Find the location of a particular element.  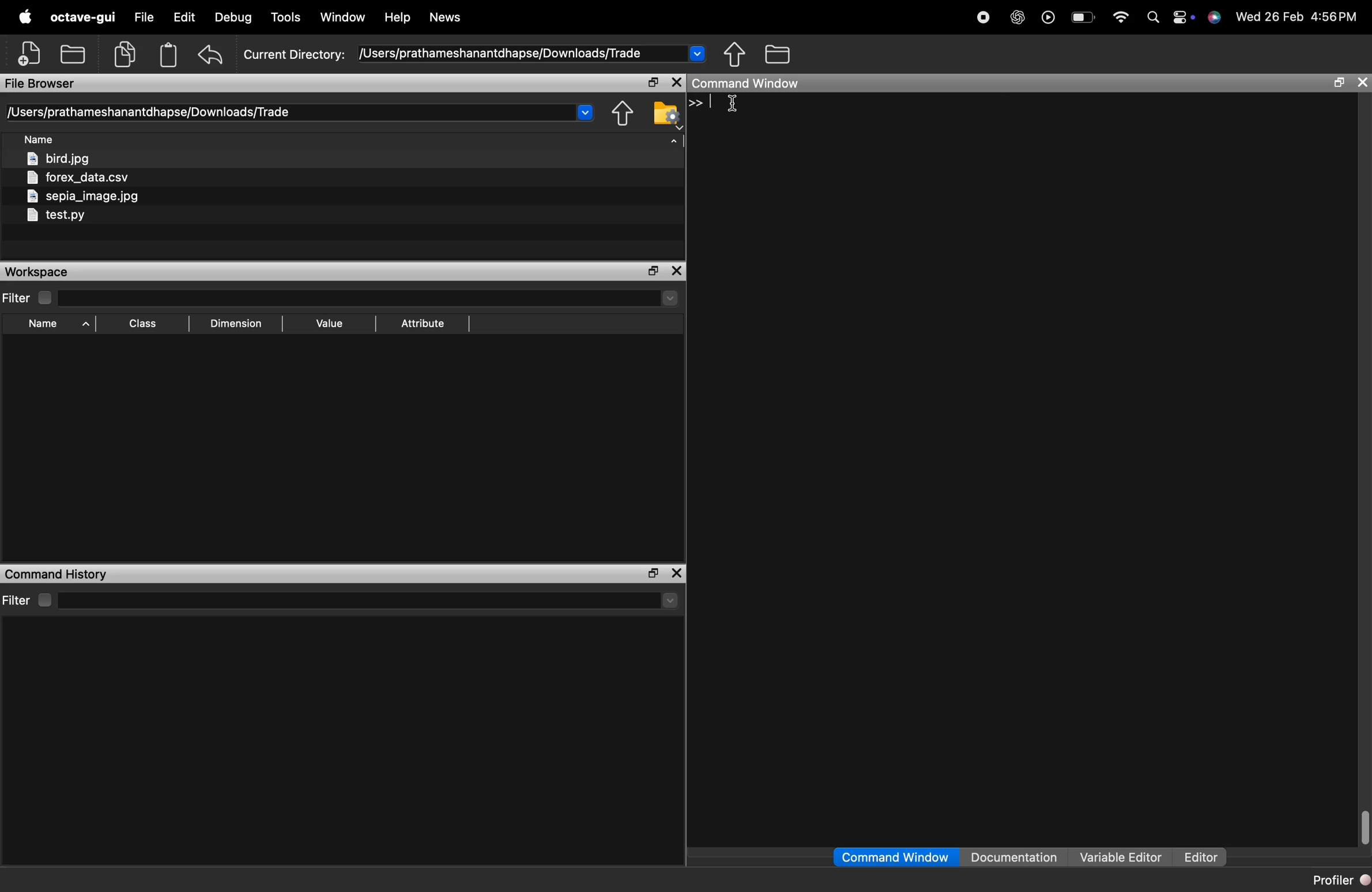

Variable Editor is located at coordinates (1120, 857).